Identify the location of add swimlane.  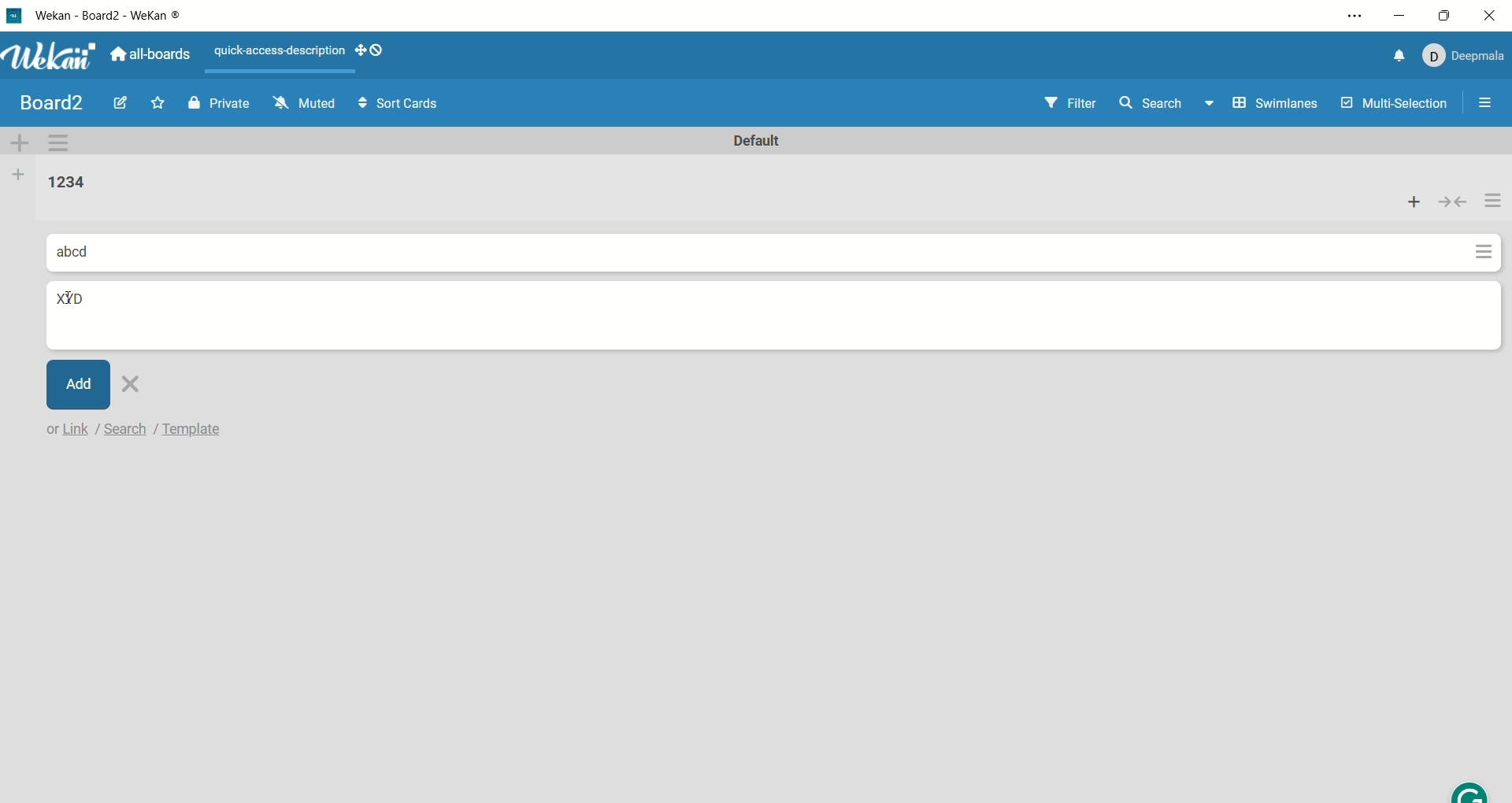
(20, 139).